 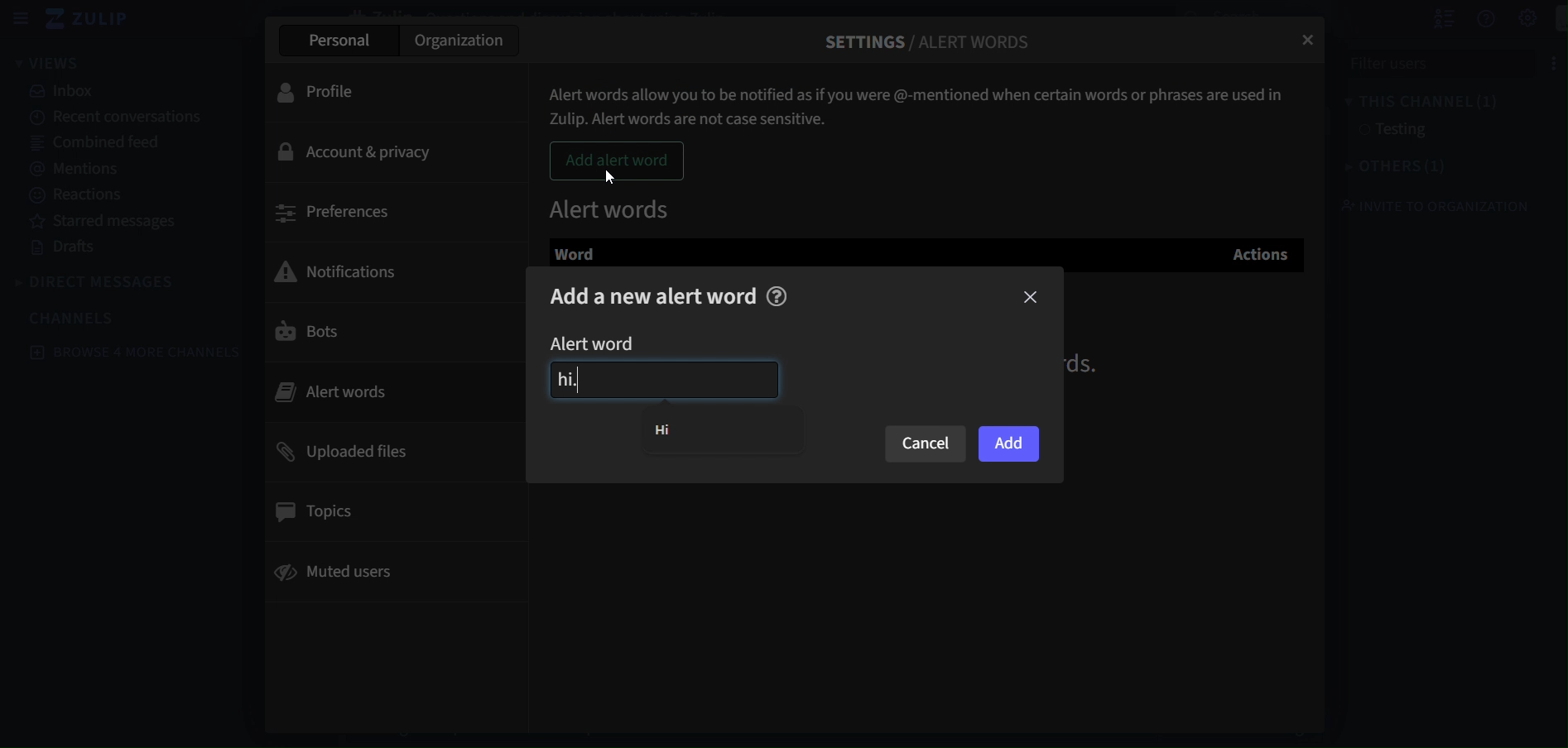 What do you see at coordinates (1031, 297) in the screenshot?
I see `close` at bounding box center [1031, 297].